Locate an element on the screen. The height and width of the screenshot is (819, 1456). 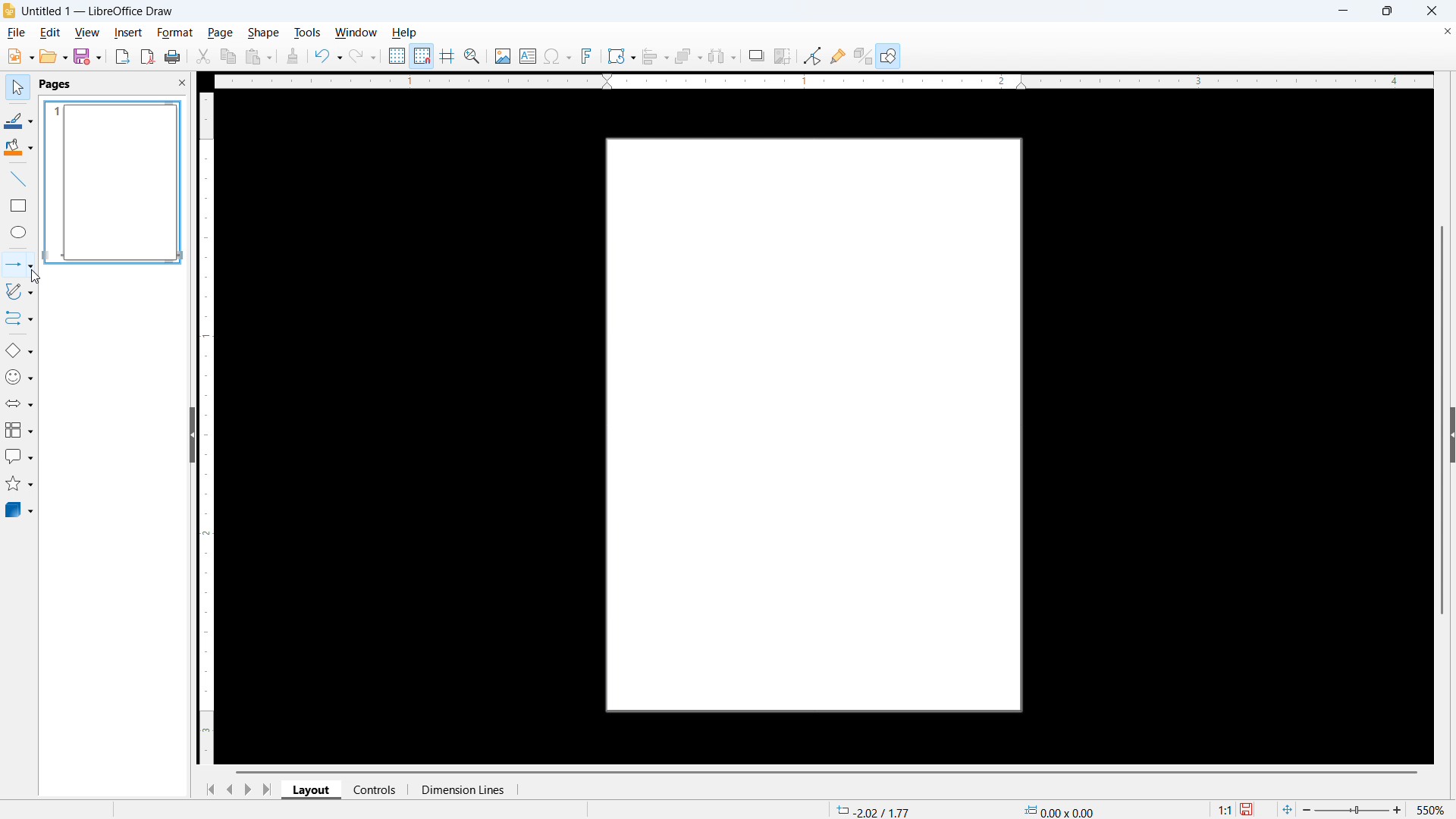
Basic shapes  is located at coordinates (19, 350).